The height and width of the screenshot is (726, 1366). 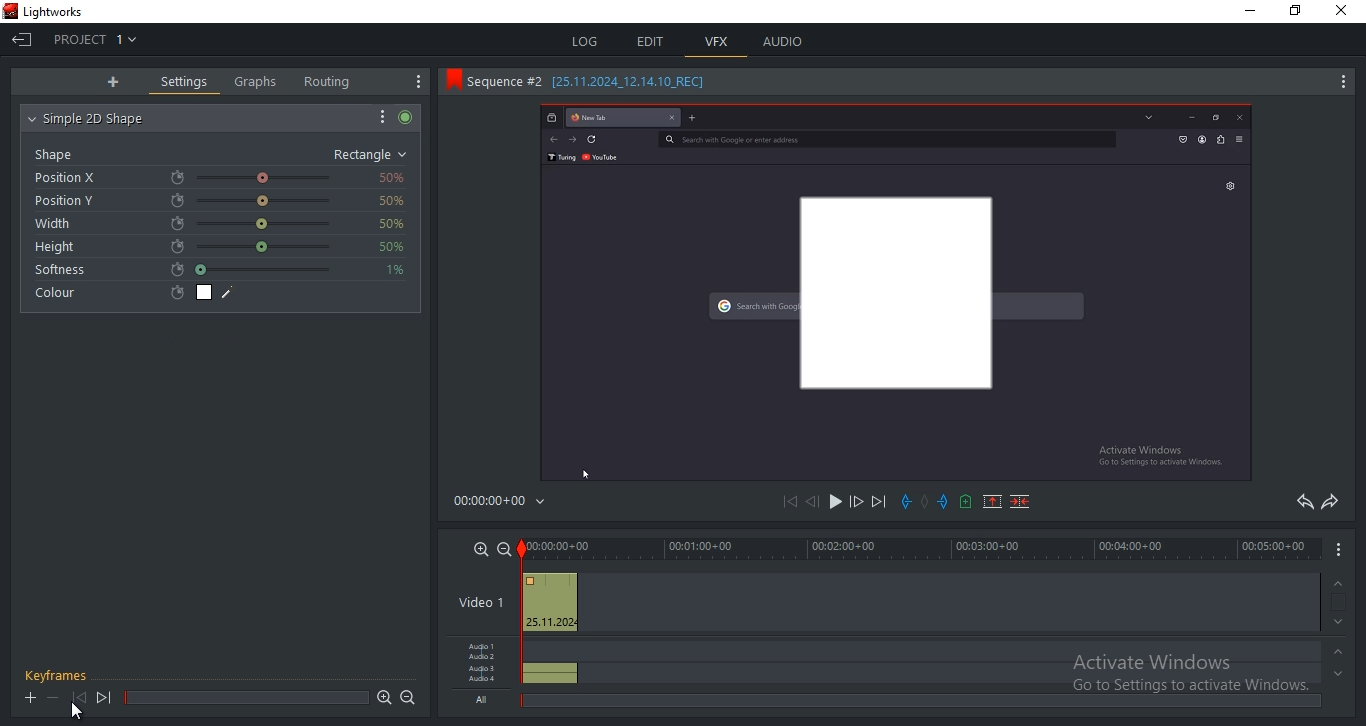 I want to click on zoom out, so click(x=505, y=548).